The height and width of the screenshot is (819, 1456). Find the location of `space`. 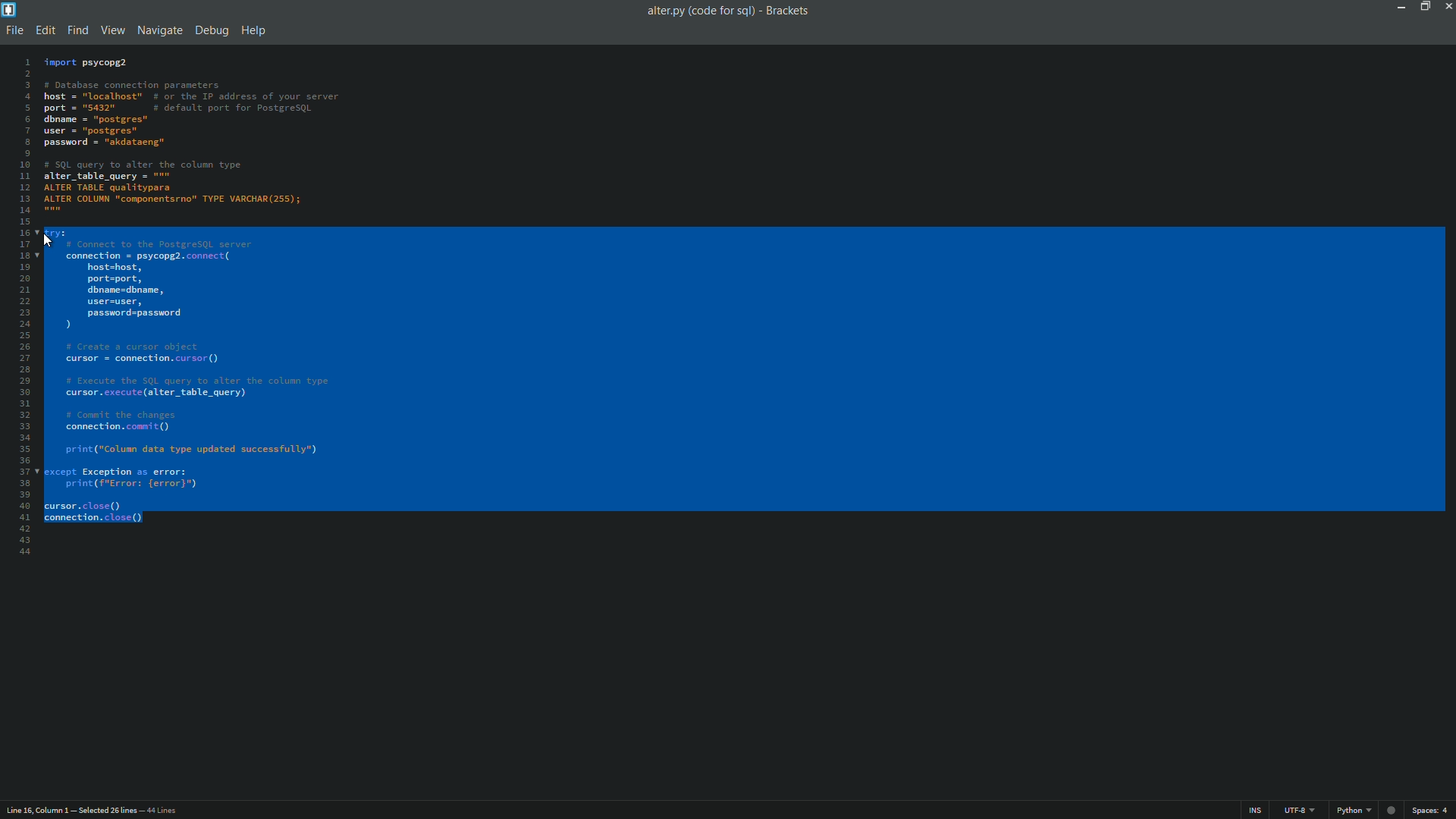

space is located at coordinates (1433, 811).